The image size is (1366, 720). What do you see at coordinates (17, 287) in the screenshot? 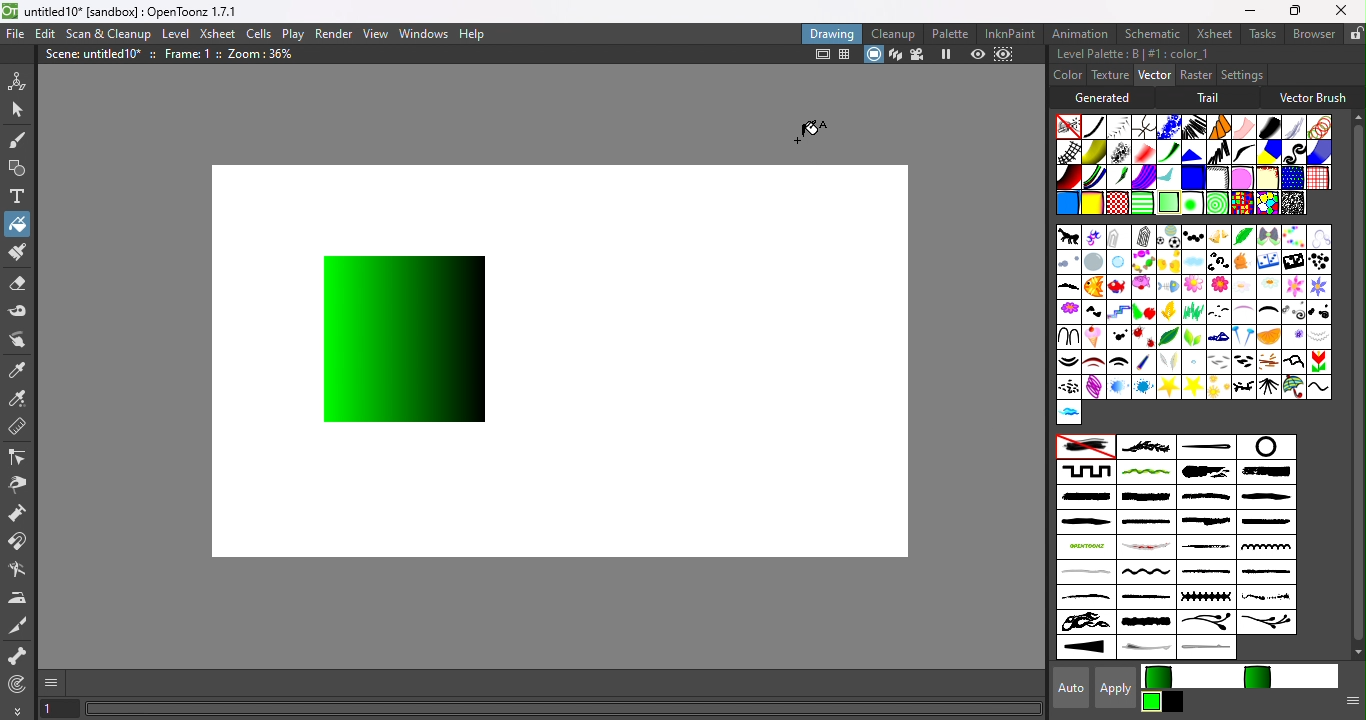
I see `Eraser` at bounding box center [17, 287].